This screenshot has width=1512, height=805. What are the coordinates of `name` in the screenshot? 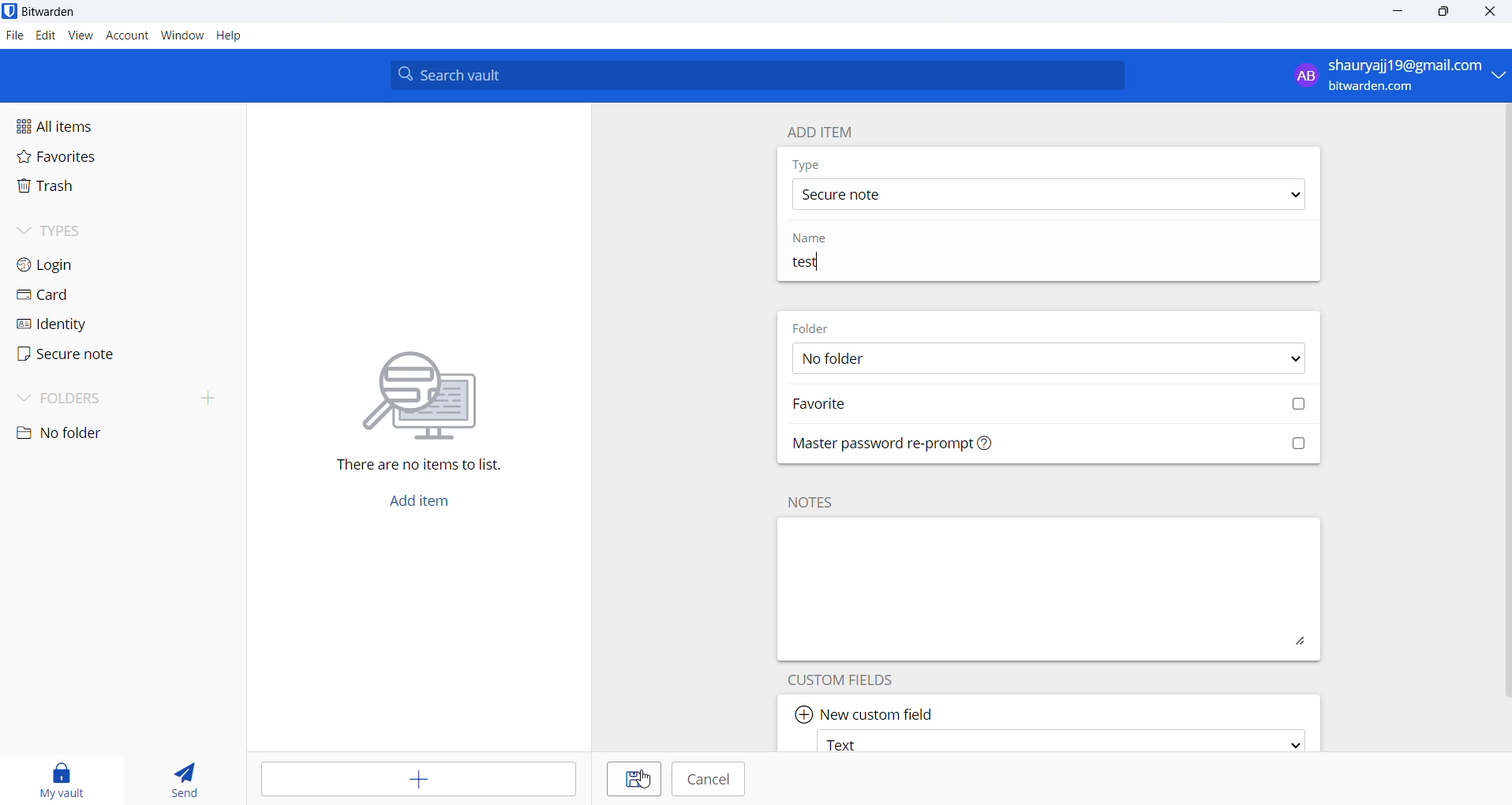 It's located at (814, 239).